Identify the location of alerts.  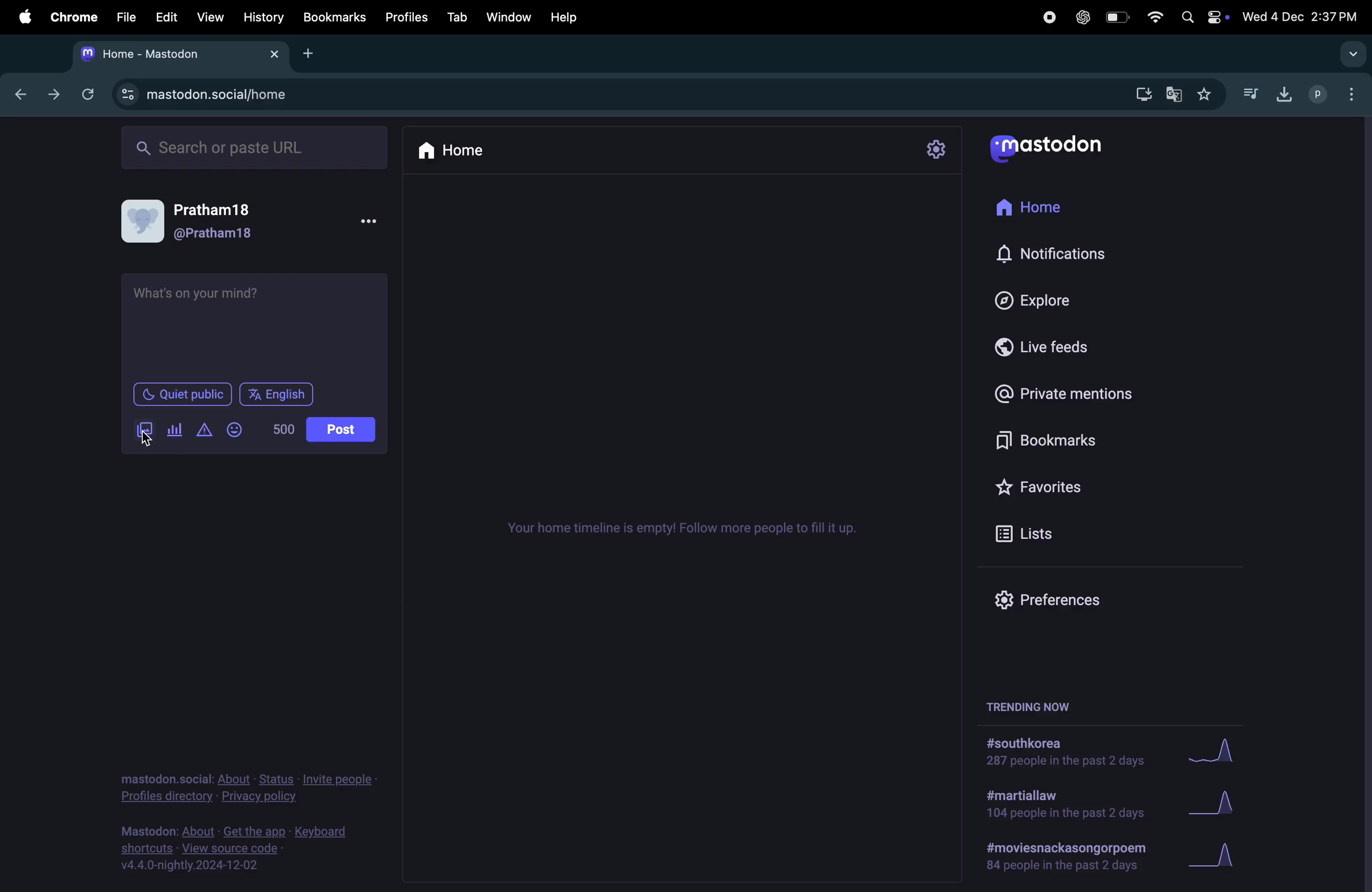
(203, 430).